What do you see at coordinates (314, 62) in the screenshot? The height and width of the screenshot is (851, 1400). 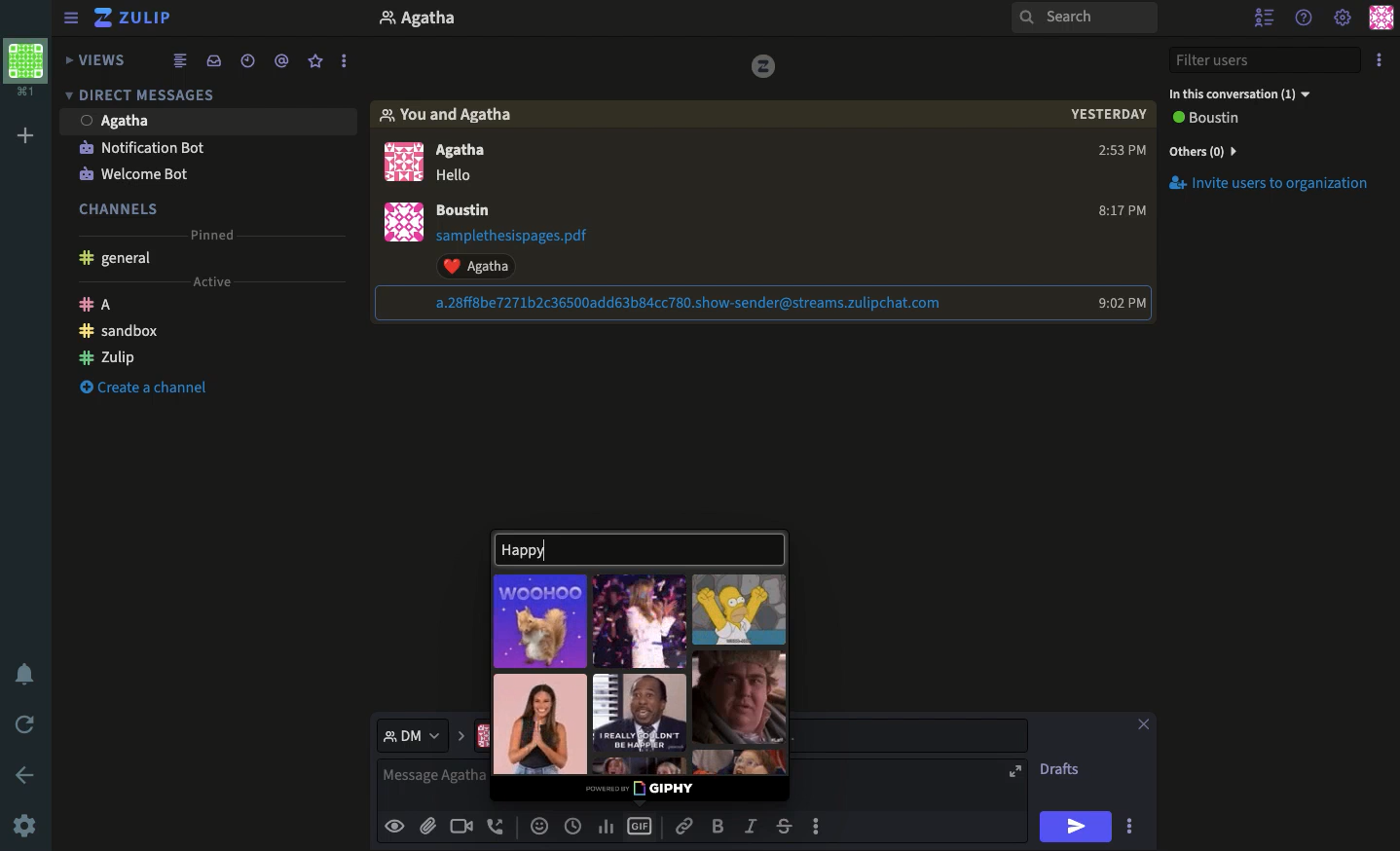 I see `Favorites` at bounding box center [314, 62].